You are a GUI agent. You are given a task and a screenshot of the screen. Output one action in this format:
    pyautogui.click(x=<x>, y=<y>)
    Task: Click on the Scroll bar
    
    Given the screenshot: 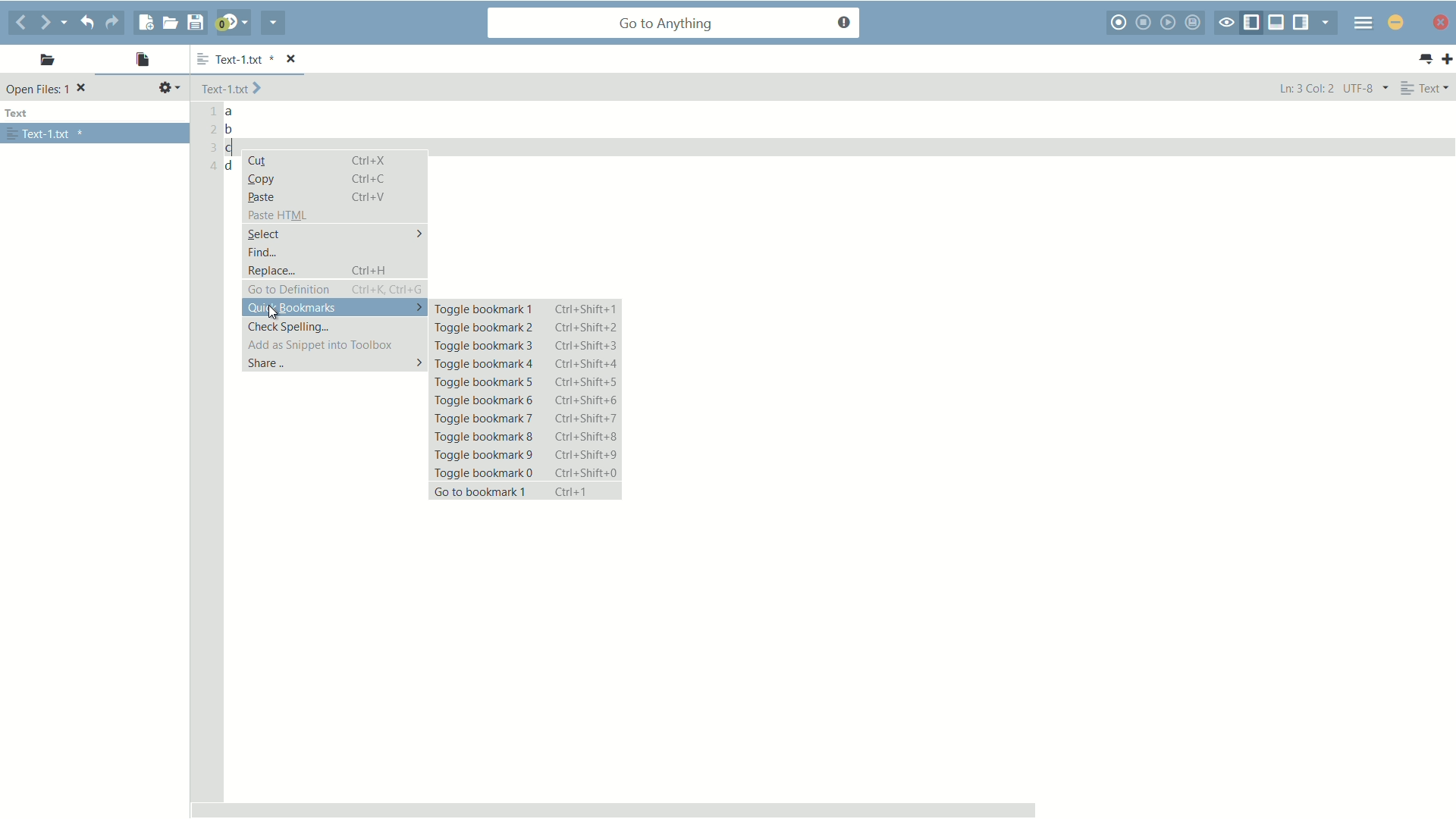 What is the action you would take?
    pyautogui.click(x=818, y=805)
    